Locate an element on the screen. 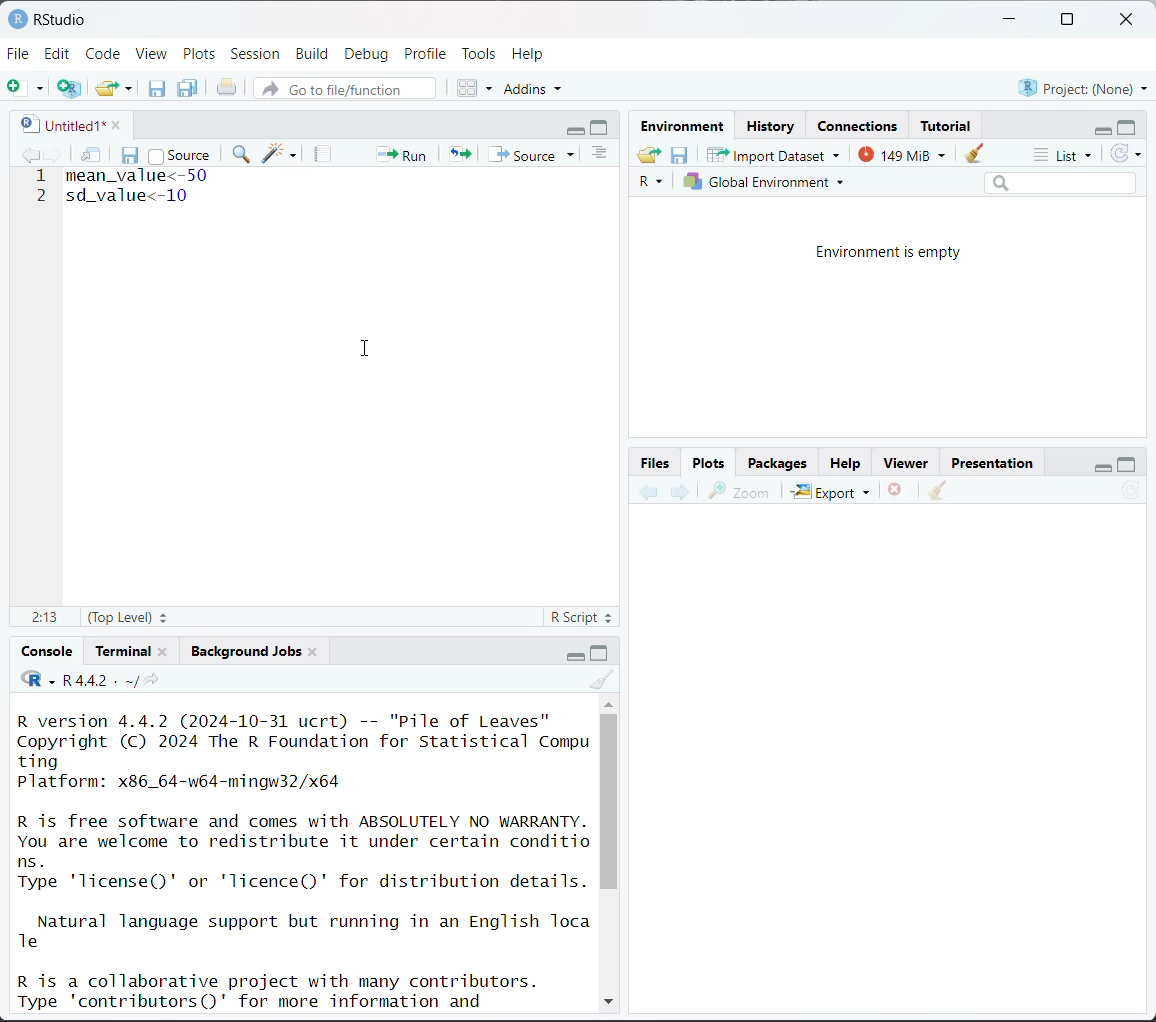 The height and width of the screenshot is (1022, 1156). save current document is located at coordinates (157, 88).